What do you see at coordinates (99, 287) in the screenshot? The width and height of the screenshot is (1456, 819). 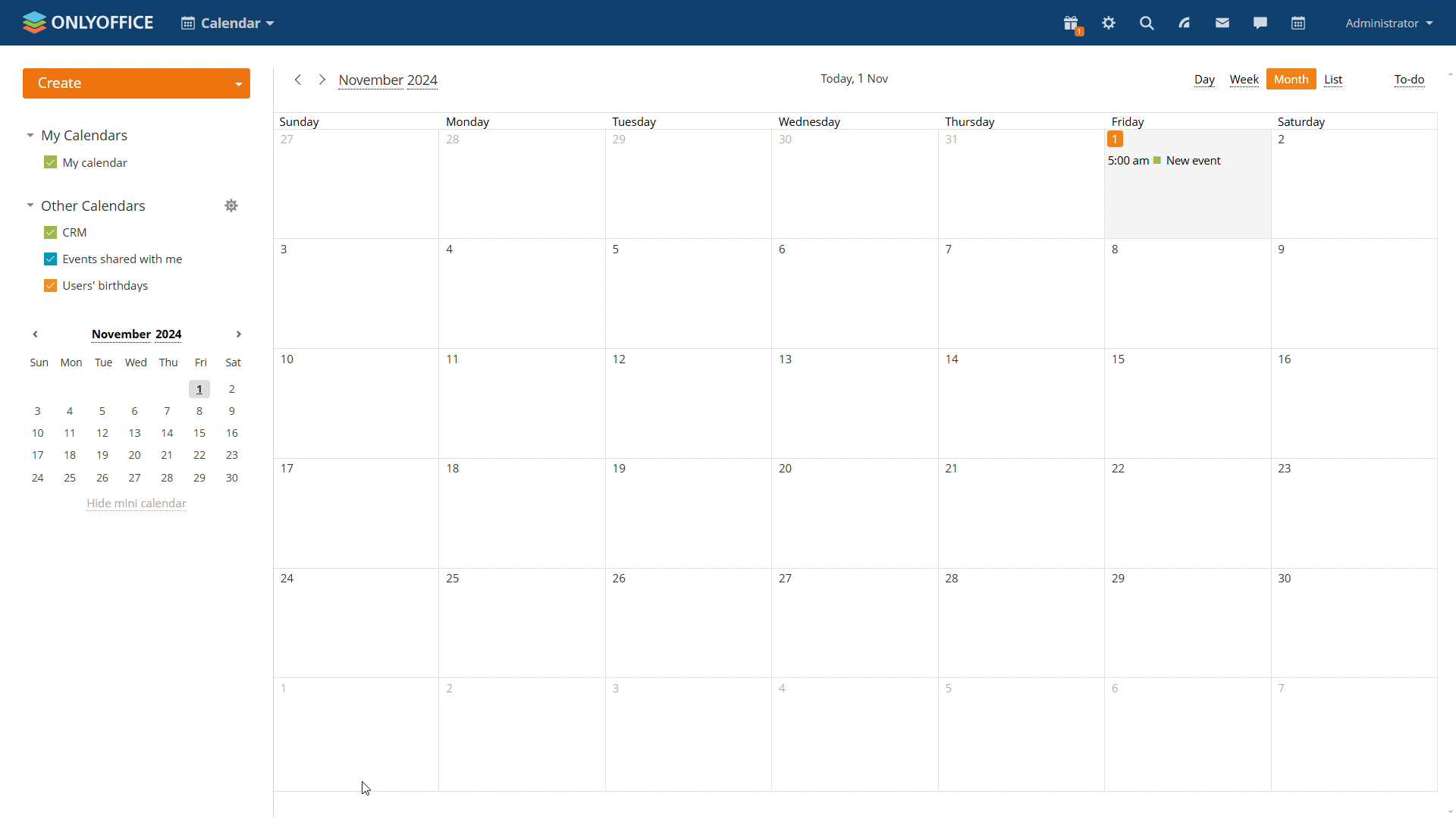 I see `users' birthdays` at bounding box center [99, 287].